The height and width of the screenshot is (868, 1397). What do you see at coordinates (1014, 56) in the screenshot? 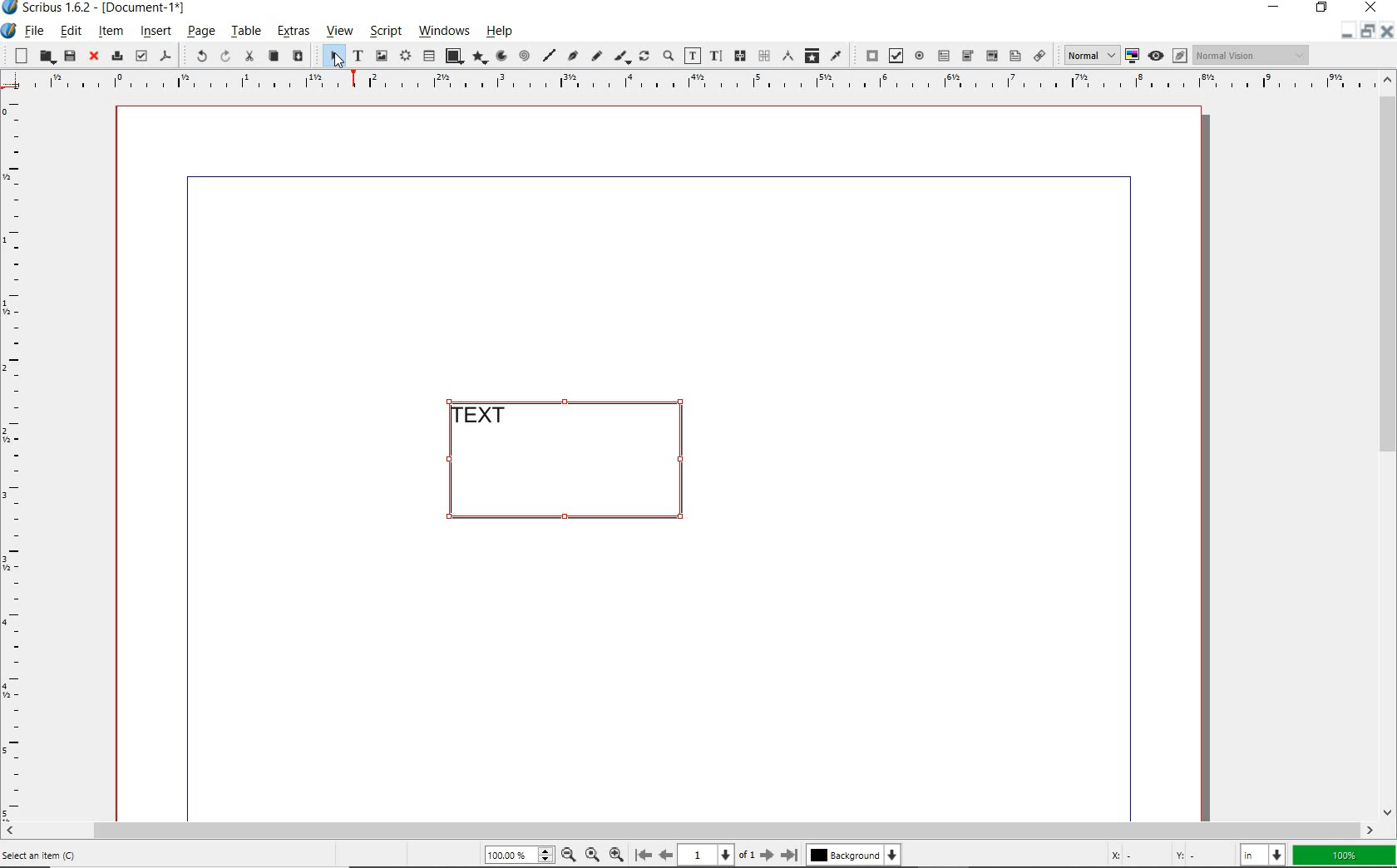
I see `pdf list box` at bounding box center [1014, 56].